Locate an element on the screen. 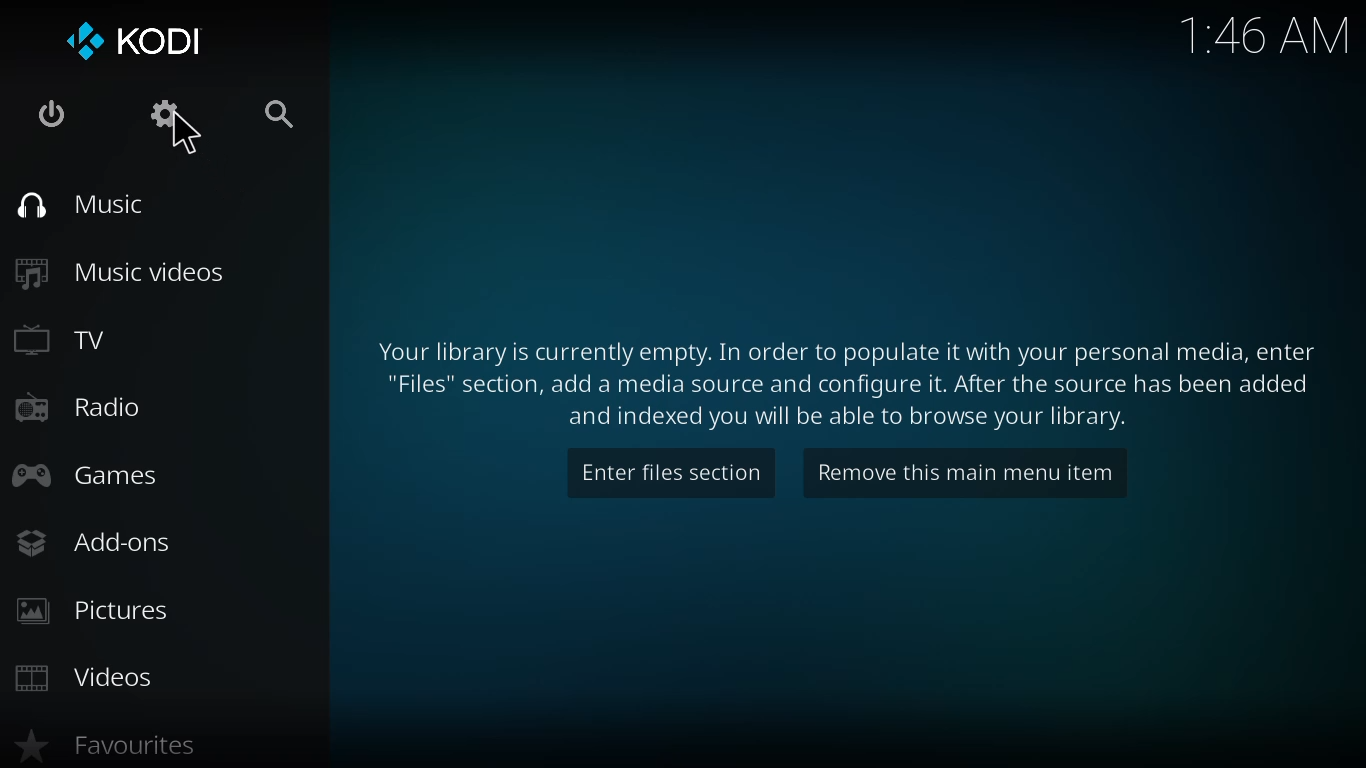 This screenshot has width=1366, height=768. cursor is located at coordinates (188, 137).